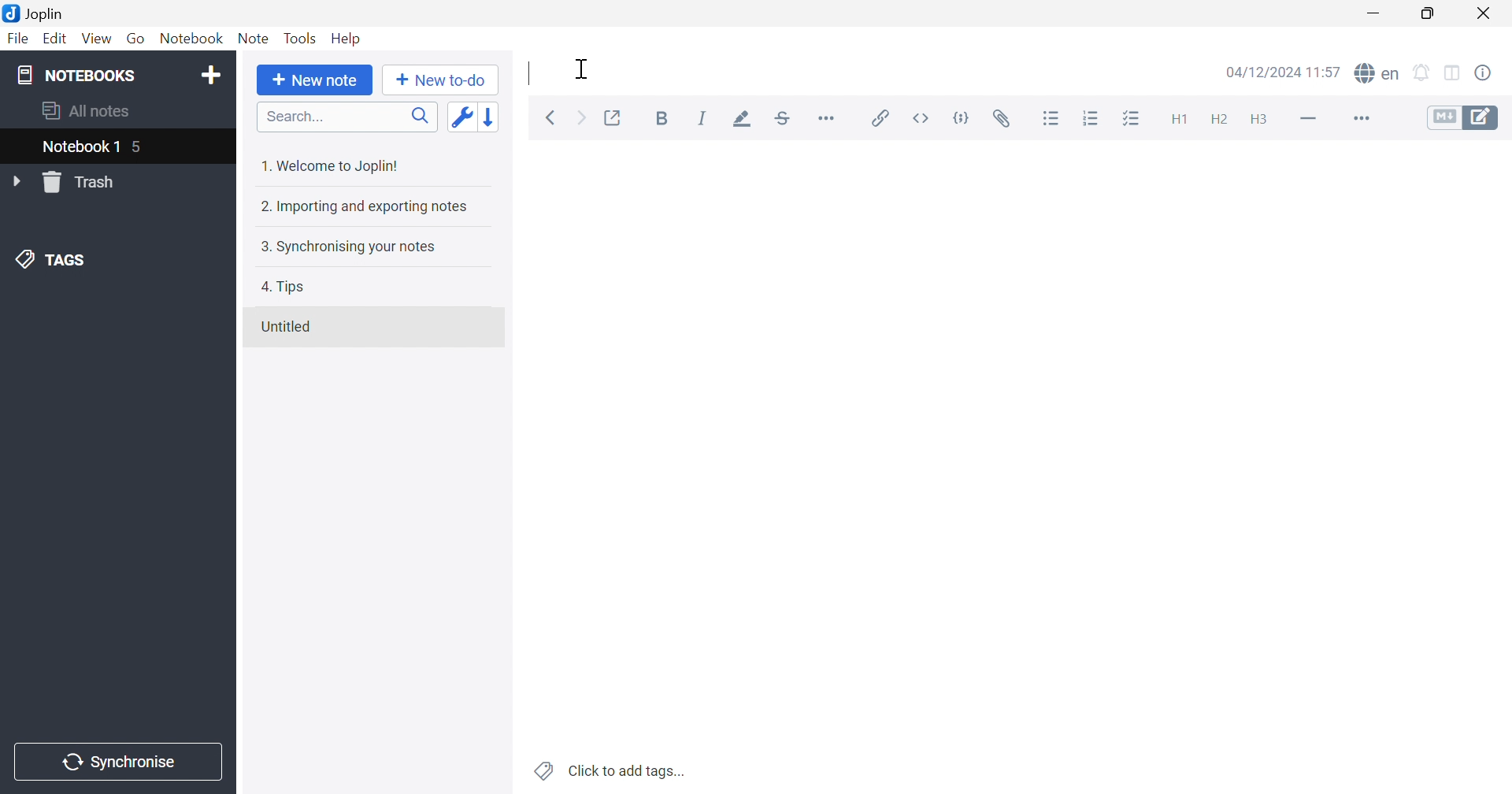 The height and width of the screenshot is (794, 1512). What do you see at coordinates (584, 119) in the screenshot?
I see `Forward` at bounding box center [584, 119].